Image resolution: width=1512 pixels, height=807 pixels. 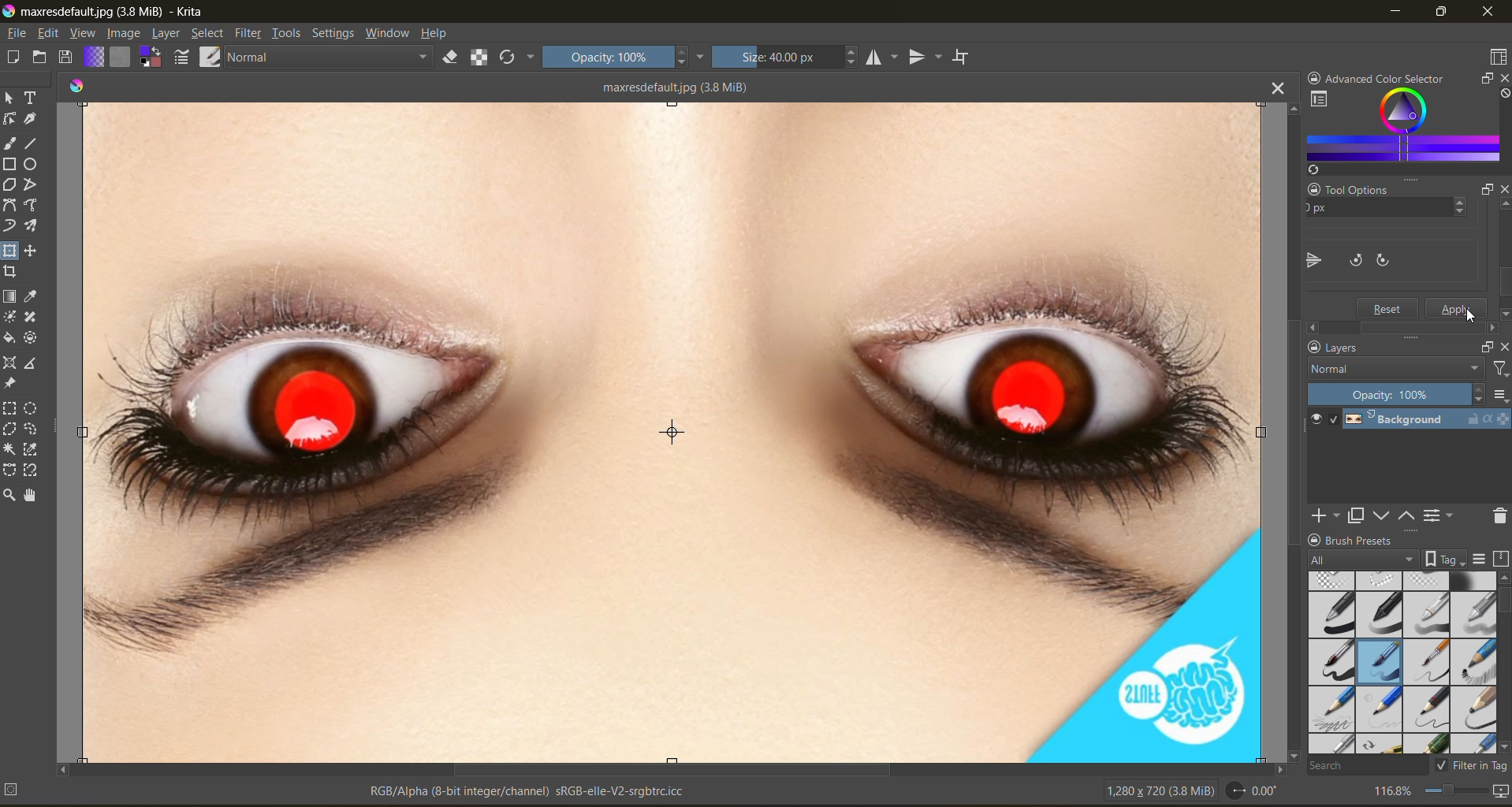 What do you see at coordinates (1395, 793) in the screenshot?
I see `zoom factor` at bounding box center [1395, 793].